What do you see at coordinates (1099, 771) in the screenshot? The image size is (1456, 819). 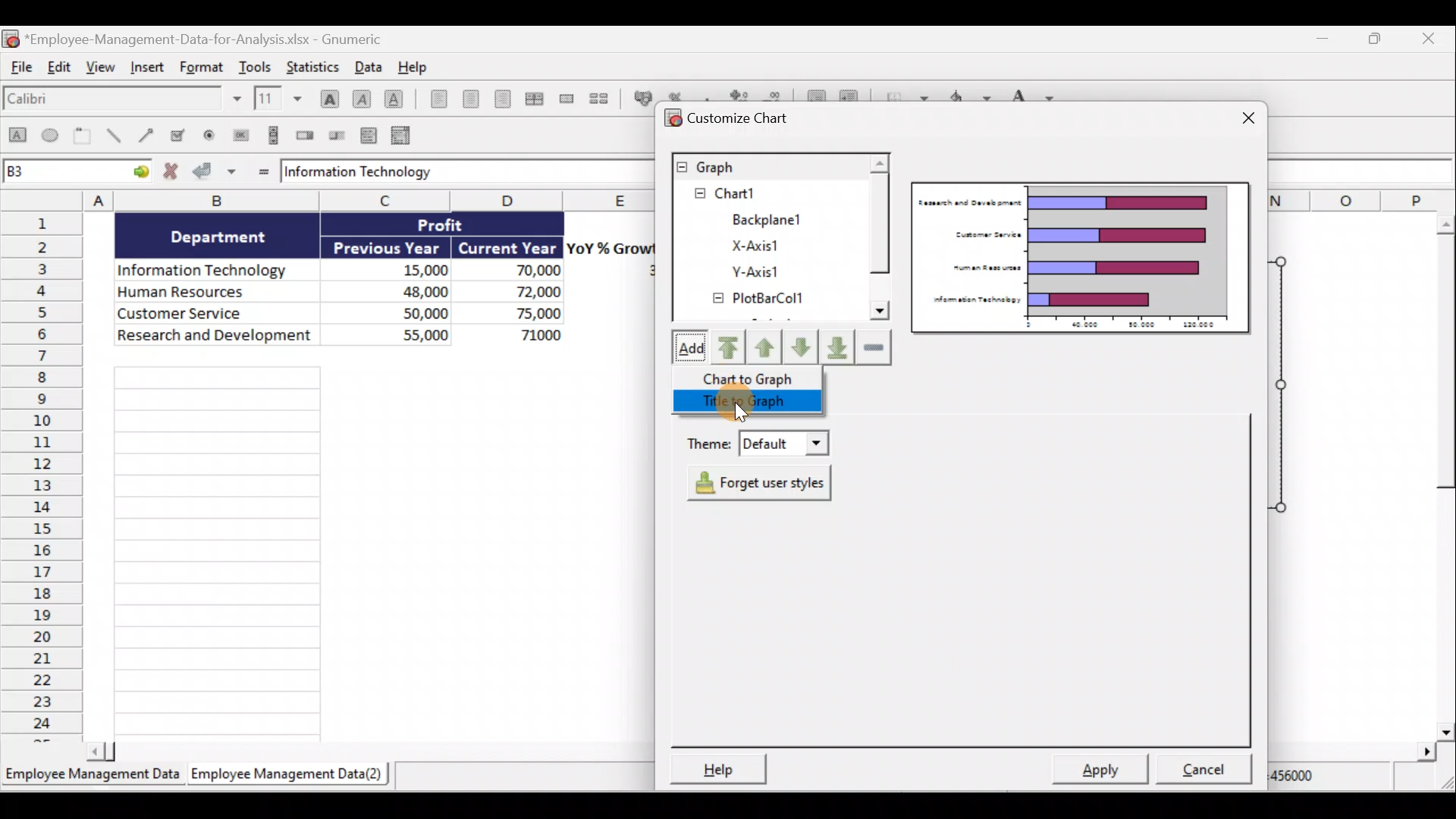 I see `Apply` at bounding box center [1099, 771].